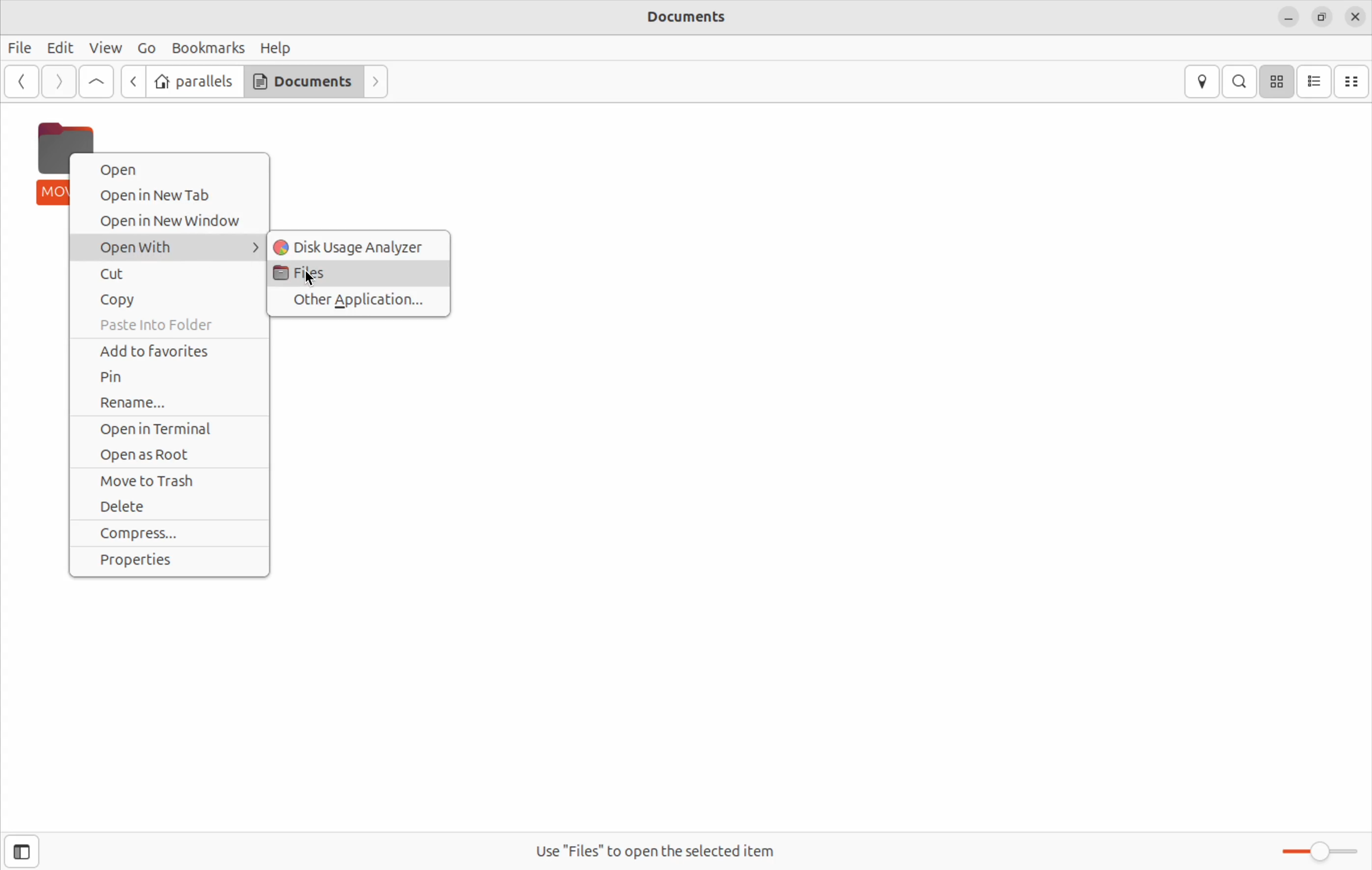  I want to click on Files, so click(358, 275).